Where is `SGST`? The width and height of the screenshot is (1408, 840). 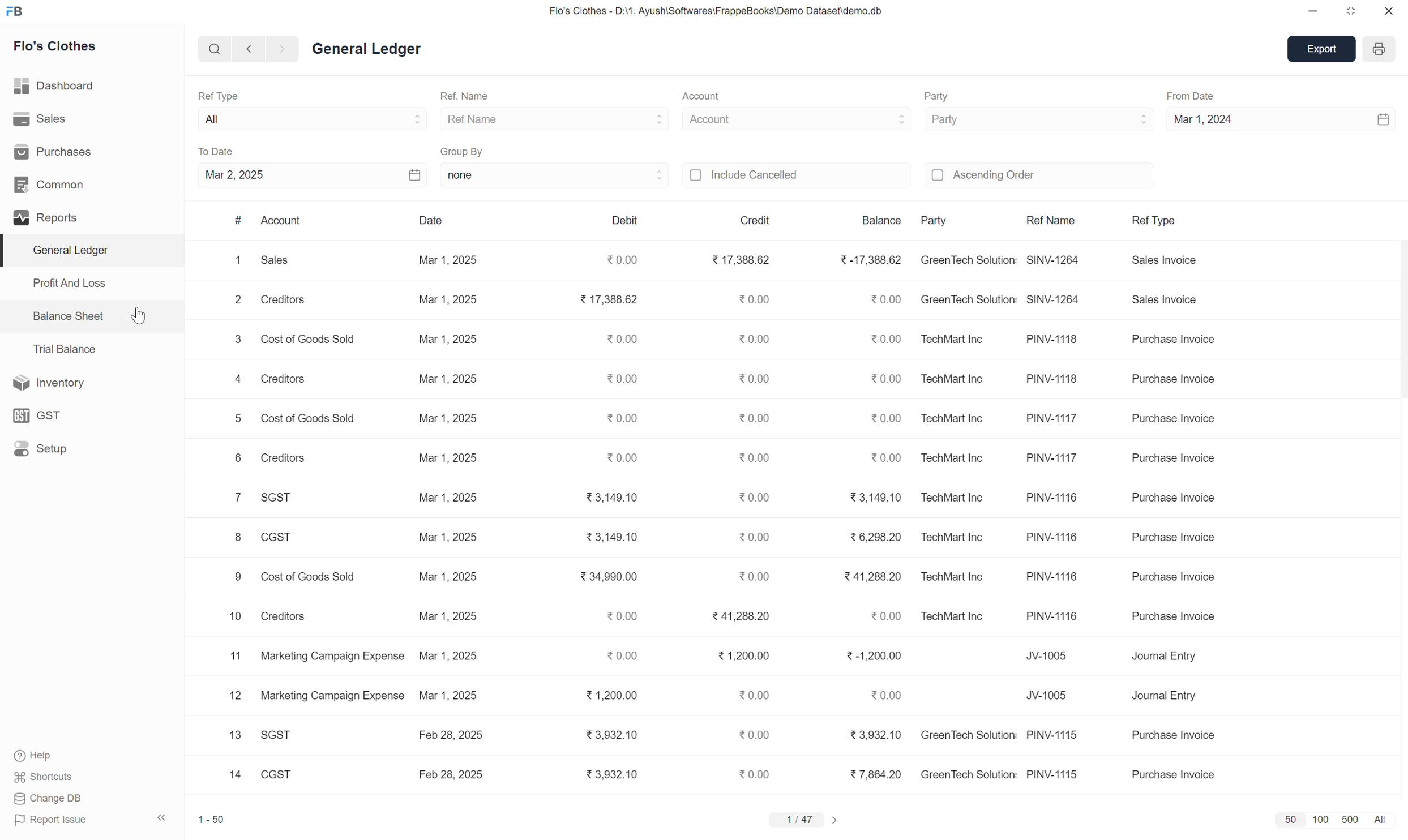
SGST is located at coordinates (282, 498).